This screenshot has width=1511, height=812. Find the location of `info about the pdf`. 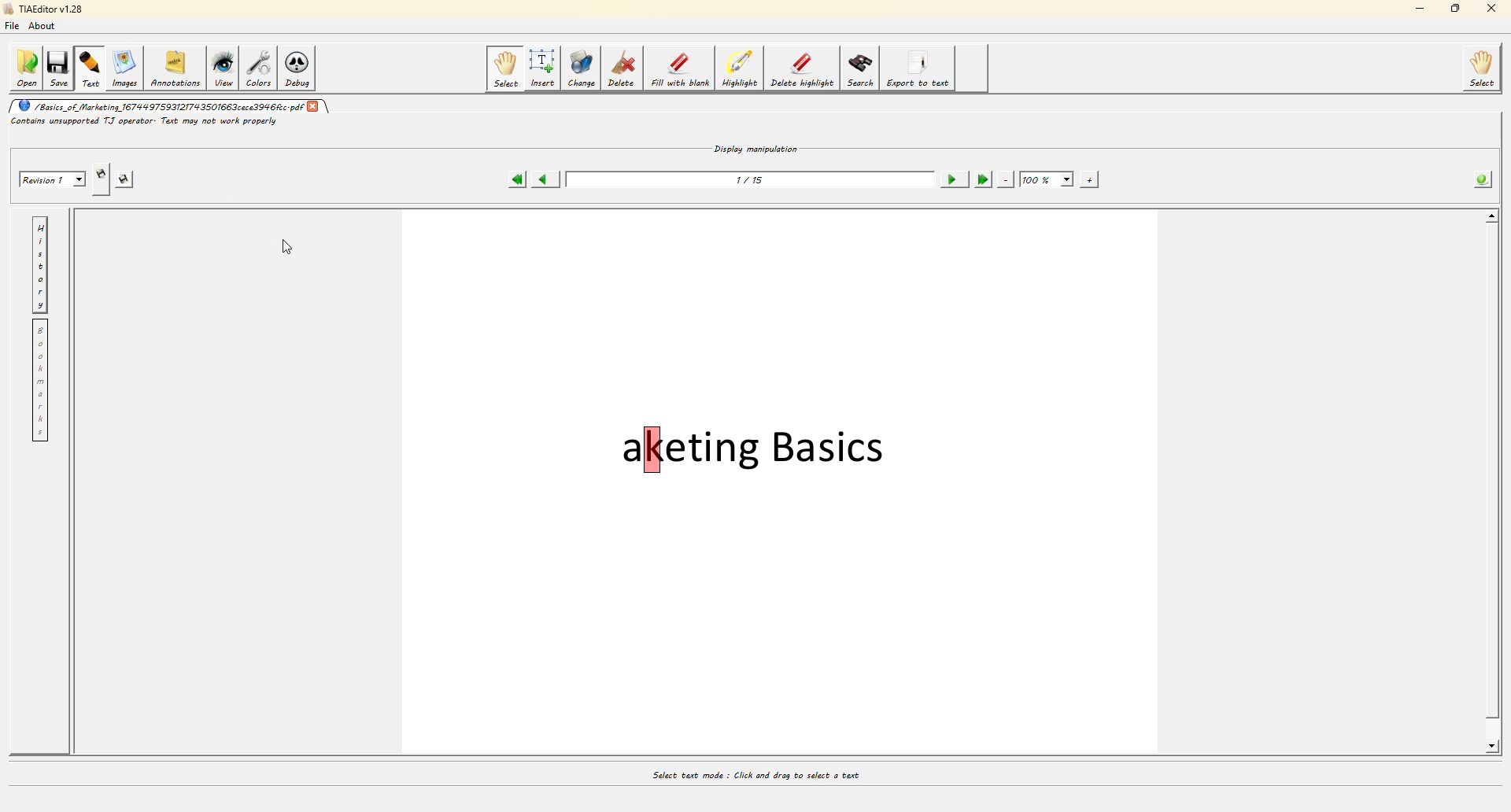

info about the pdf is located at coordinates (1484, 176).